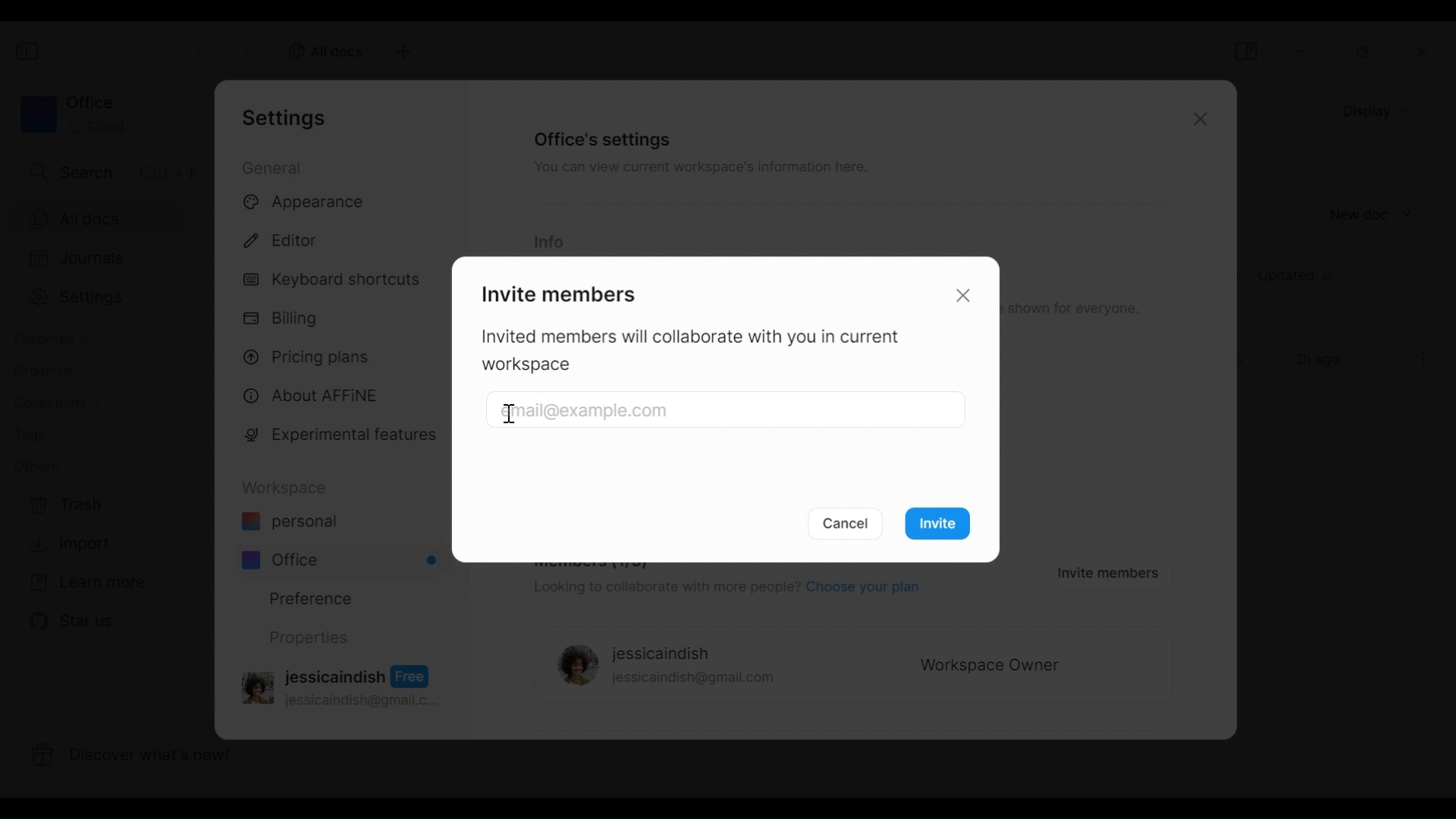  What do you see at coordinates (321, 50) in the screenshot?
I see `All documents` at bounding box center [321, 50].